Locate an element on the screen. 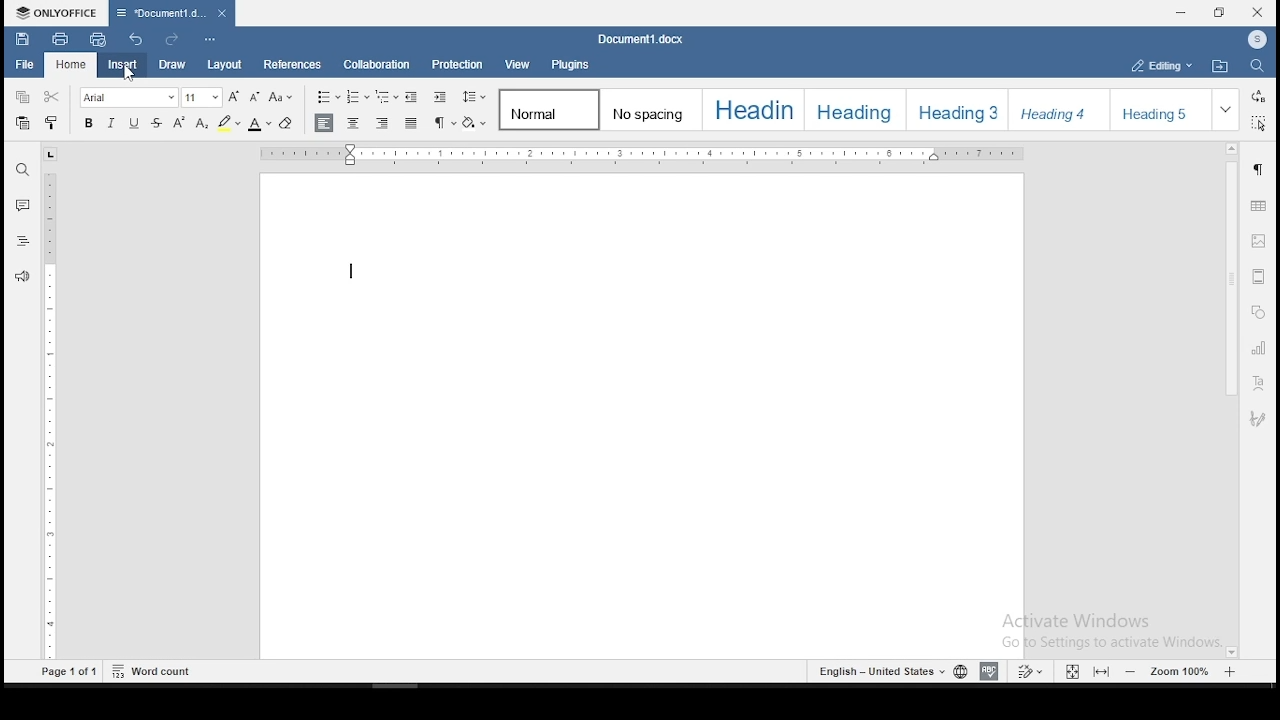  decrease font size is located at coordinates (255, 98).